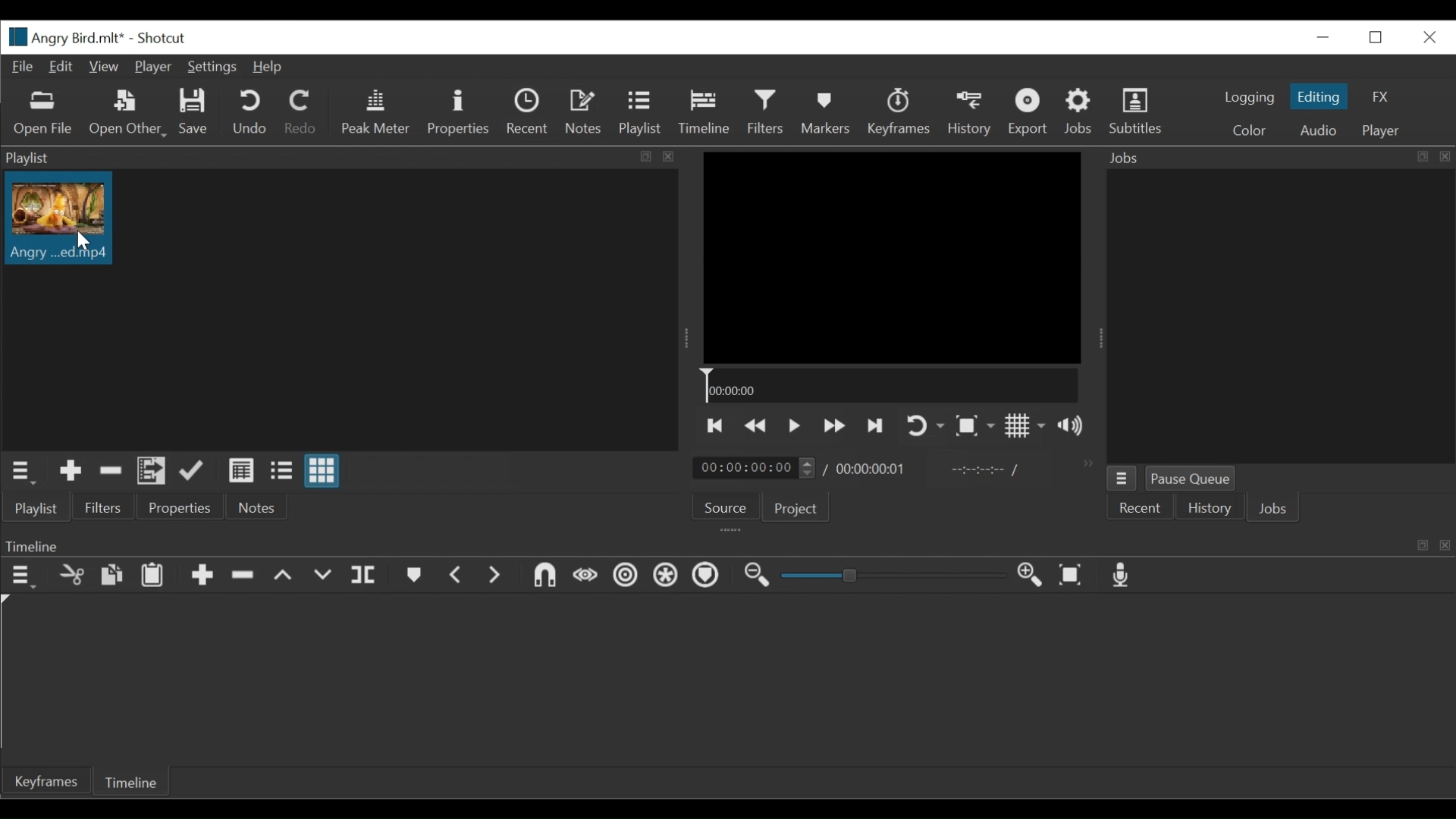  What do you see at coordinates (63, 37) in the screenshot?
I see `File Name` at bounding box center [63, 37].